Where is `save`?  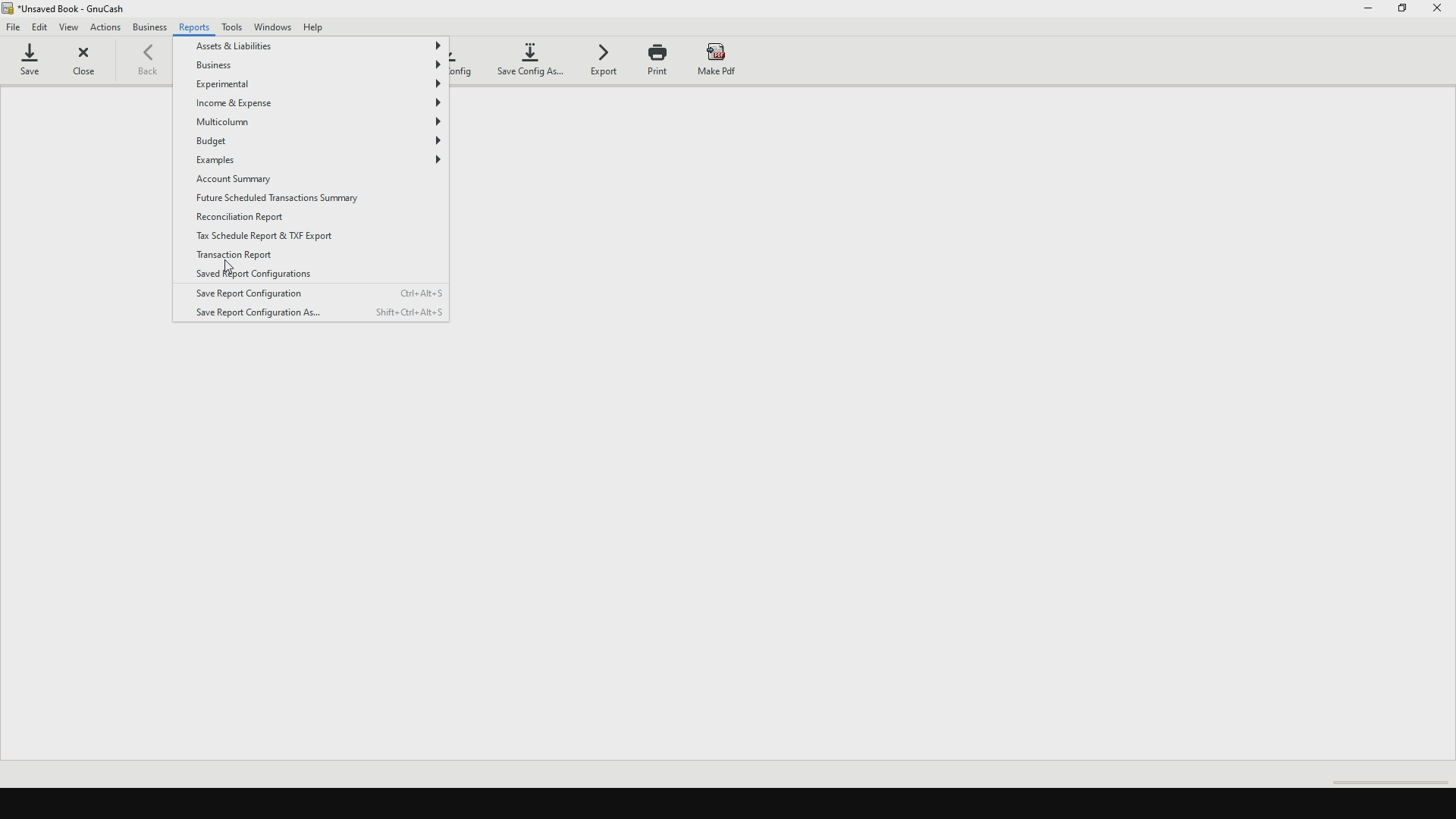
save is located at coordinates (36, 63).